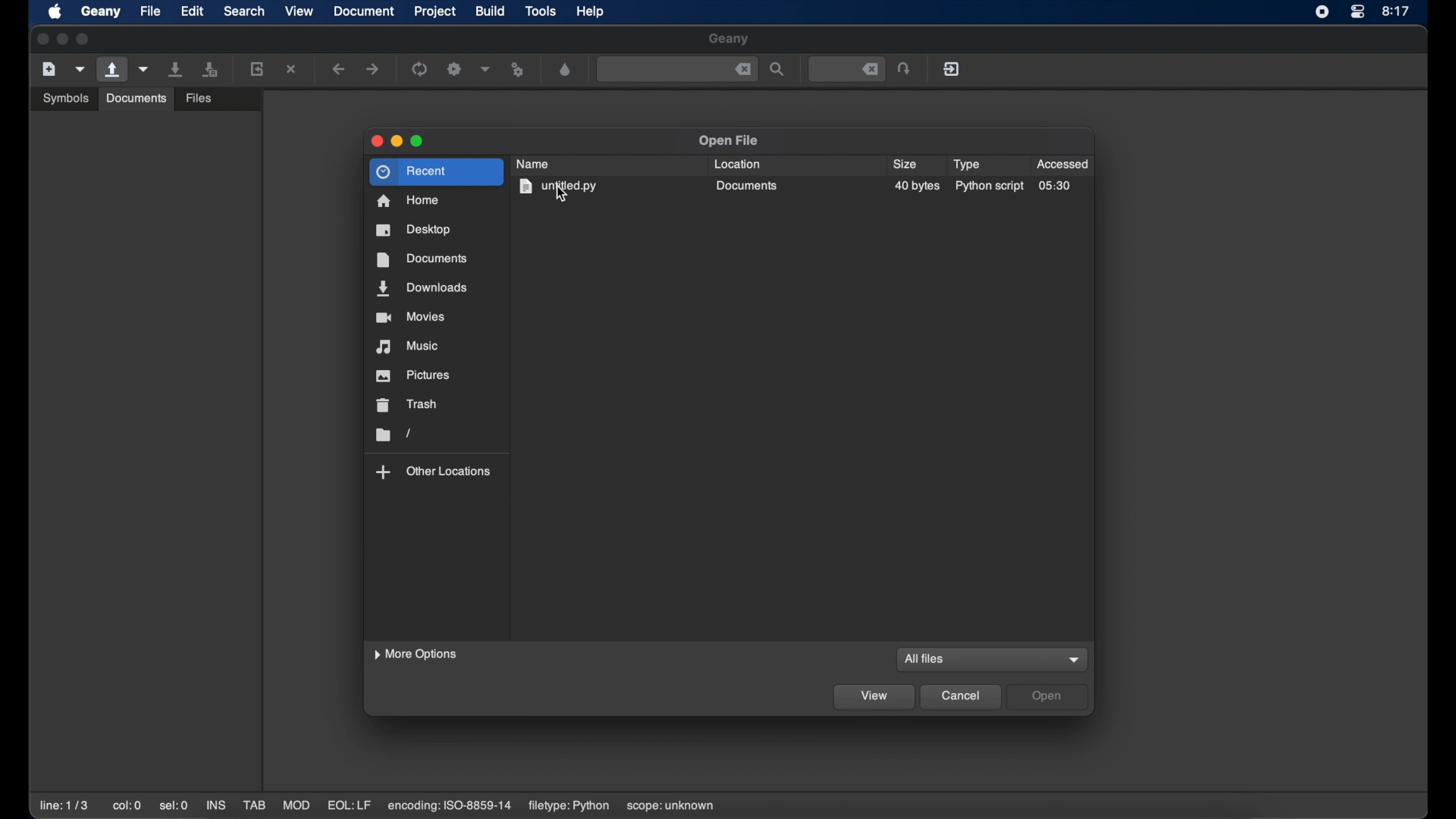  Describe the element at coordinates (422, 288) in the screenshot. I see `downloads` at that location.